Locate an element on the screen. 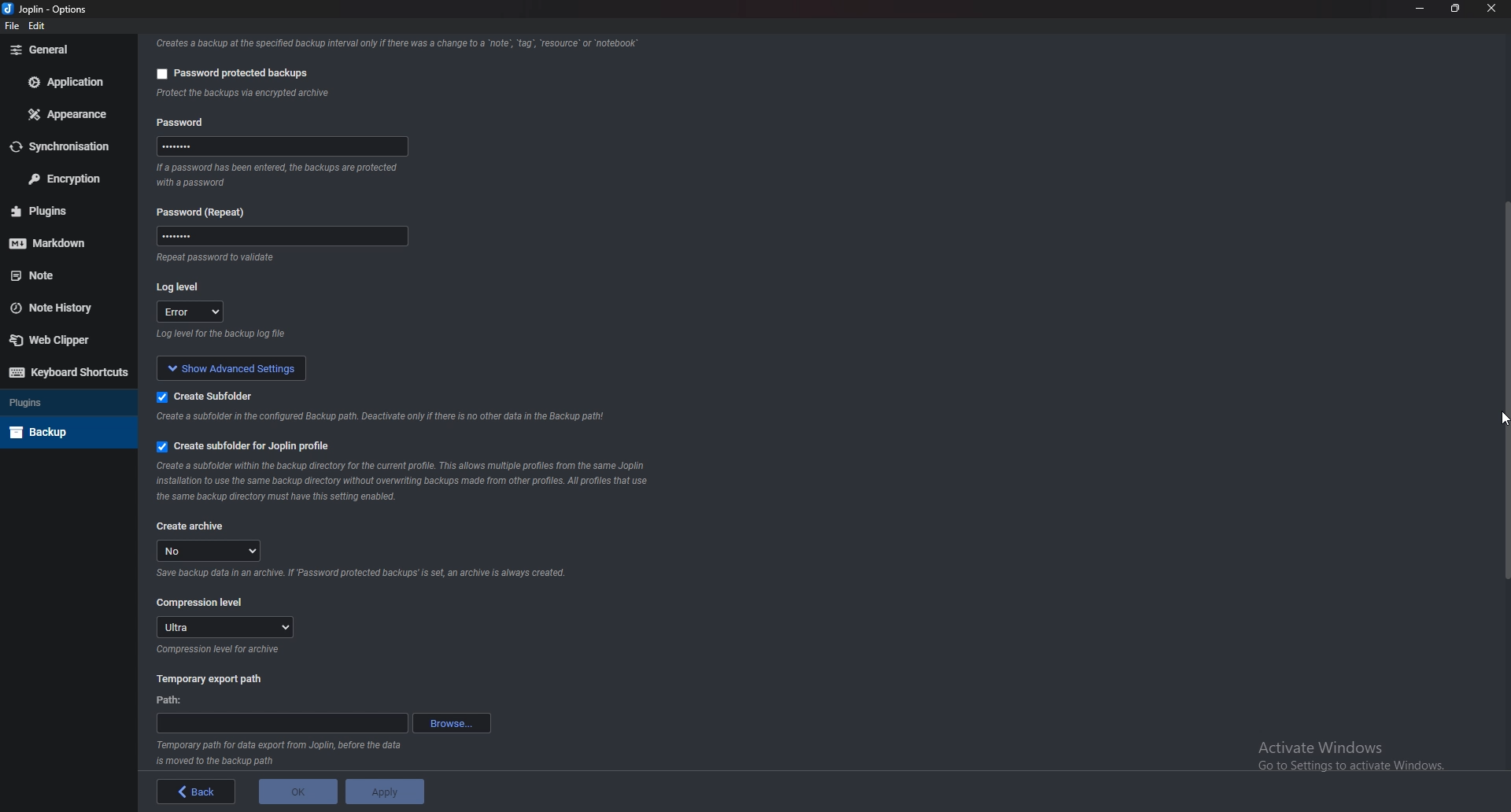  info is located at coordinates (384, 418).